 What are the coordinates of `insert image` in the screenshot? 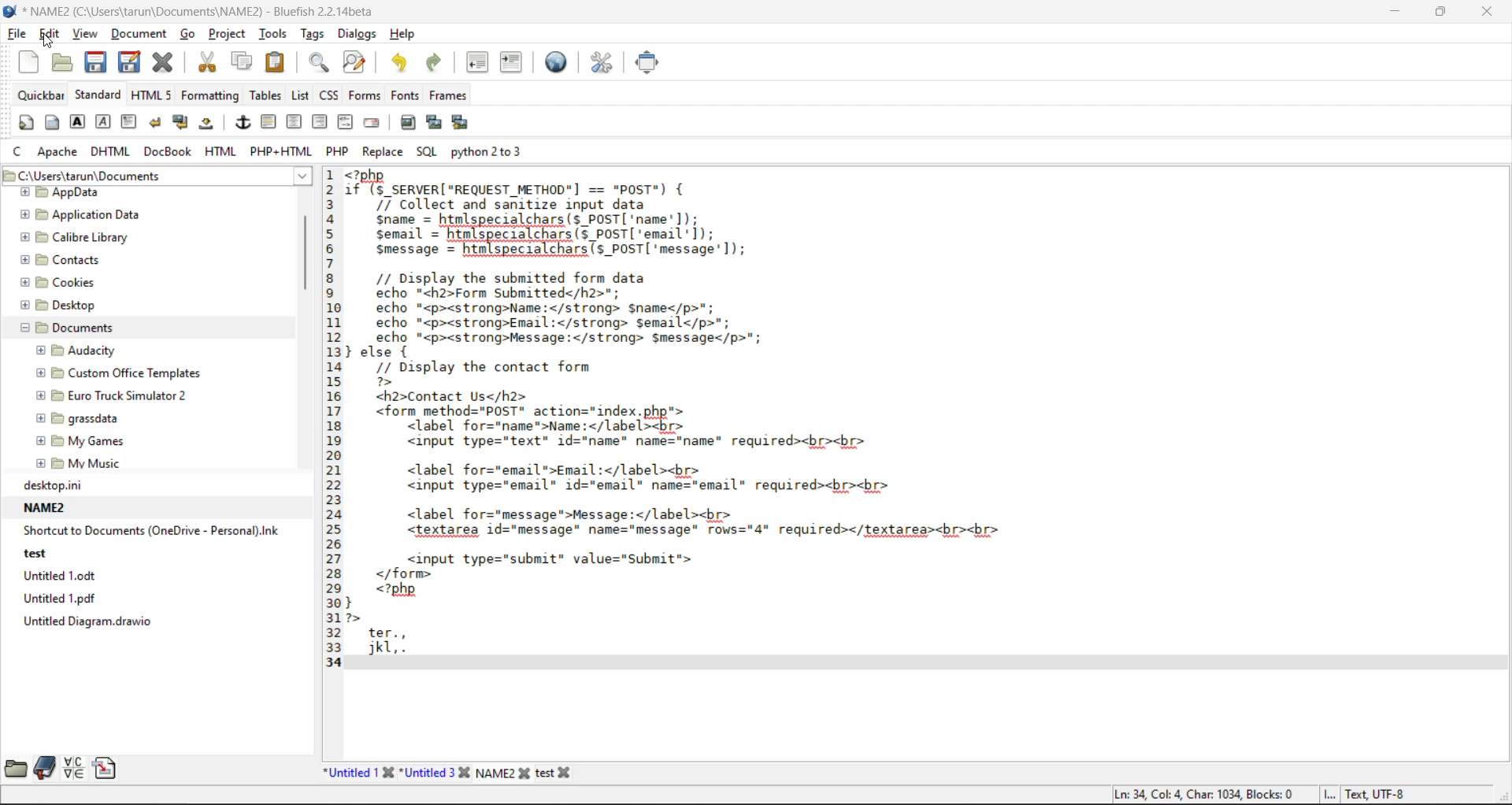 It's located at (410, 121).